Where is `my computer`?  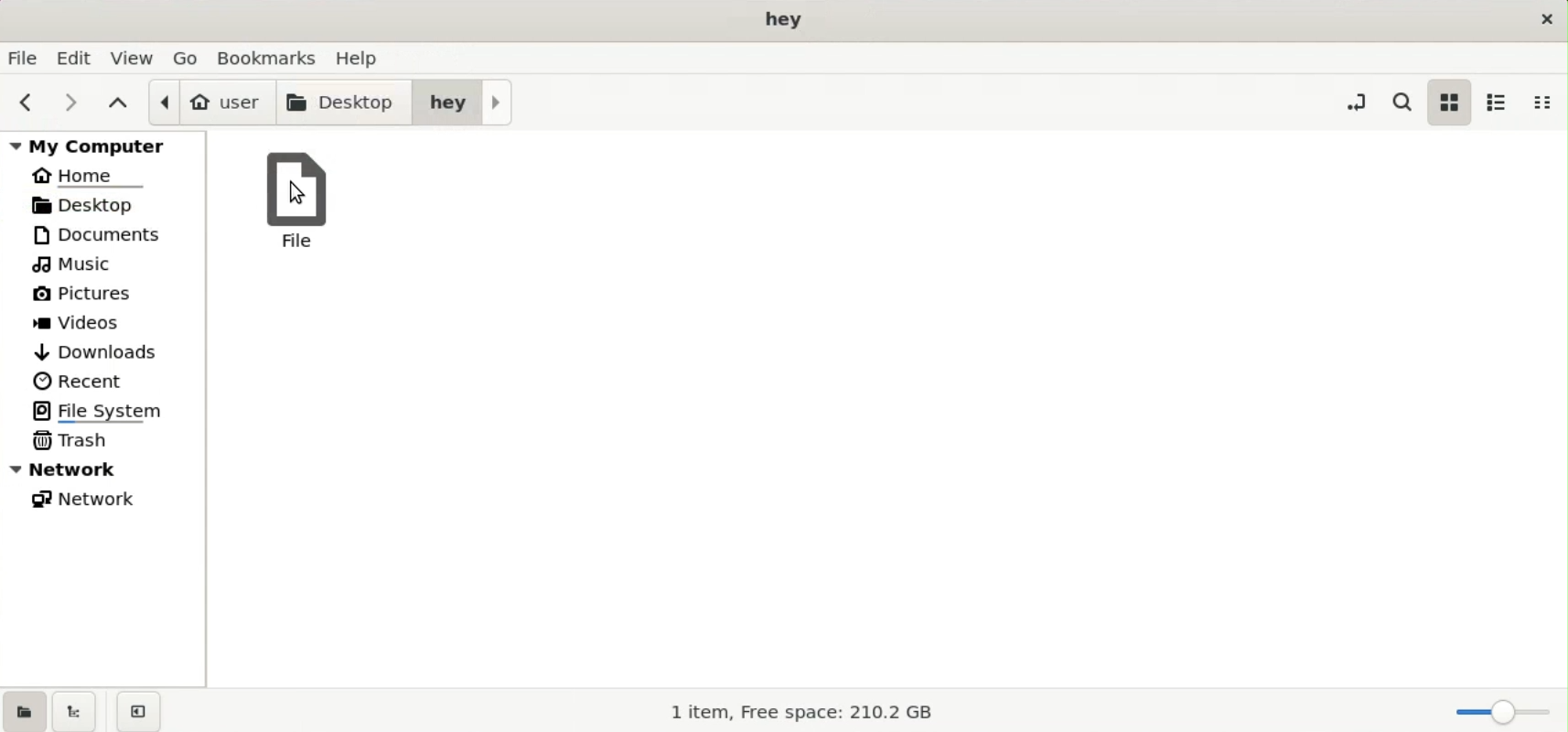
my computer is located at coordinates (107, 145).